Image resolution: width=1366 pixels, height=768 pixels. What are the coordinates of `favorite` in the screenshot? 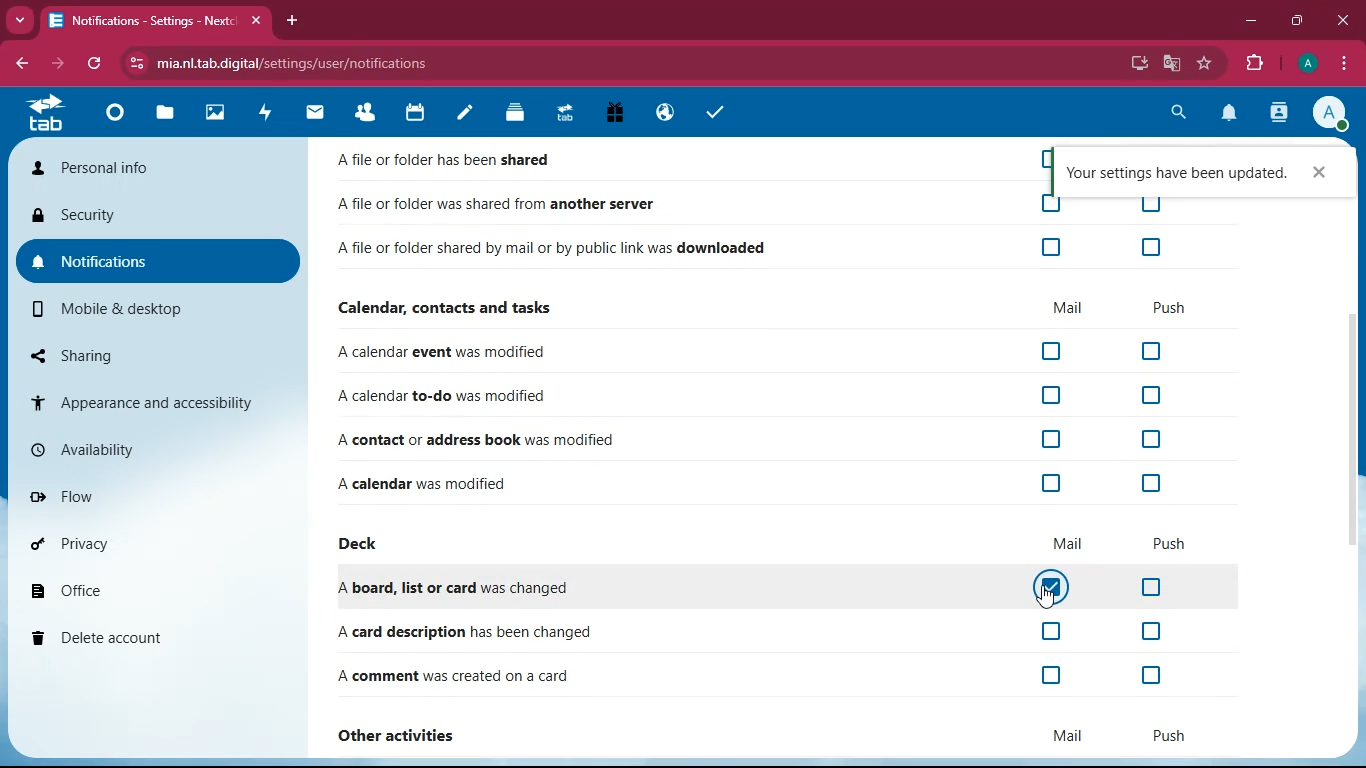 It's located at (1206, 63).